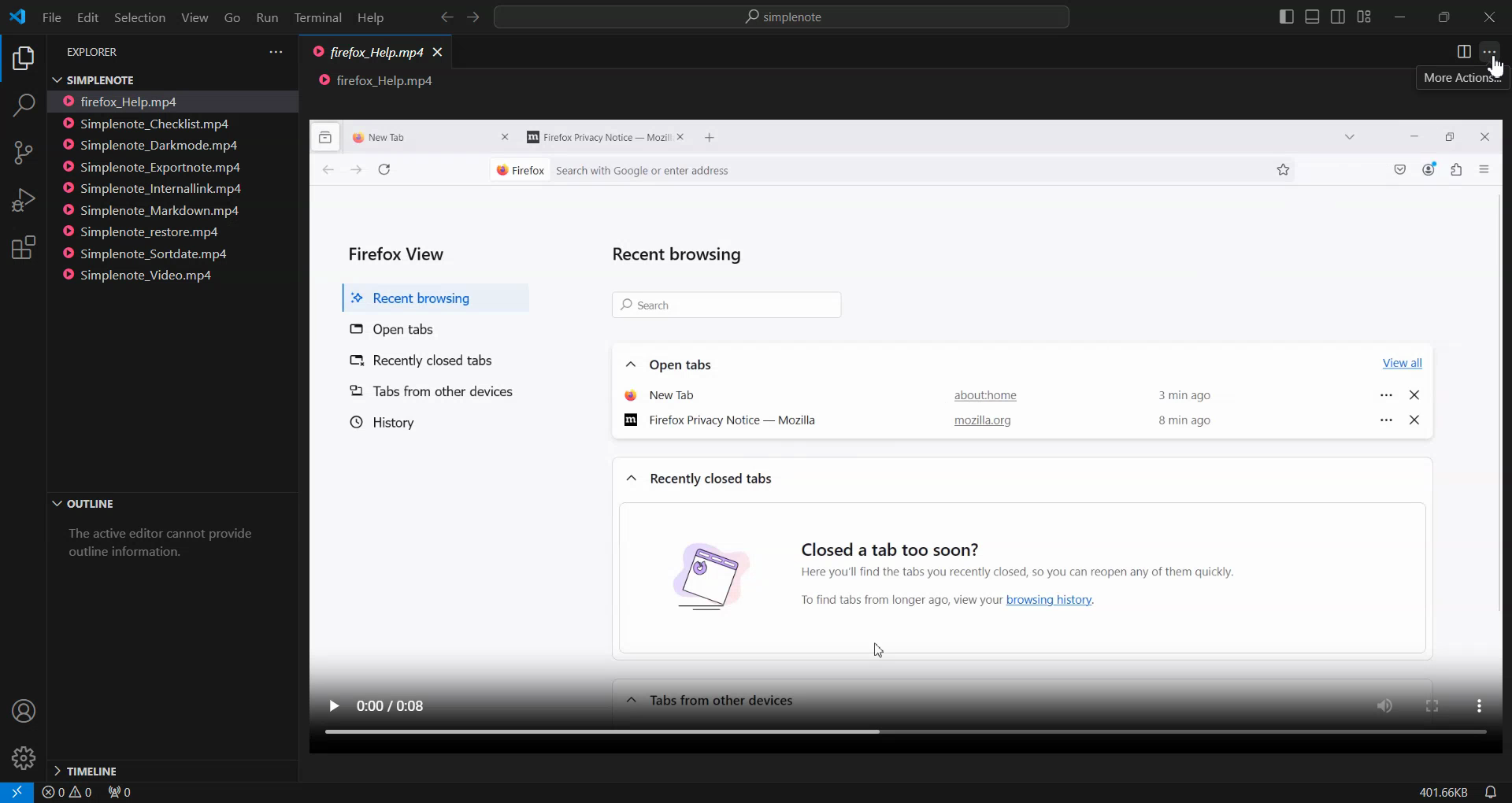 Image resolution: width=1512 pixels, height=803 pixels. Describe the element at coordinates (724, 305) in the screenshot. I see `search` at that location.